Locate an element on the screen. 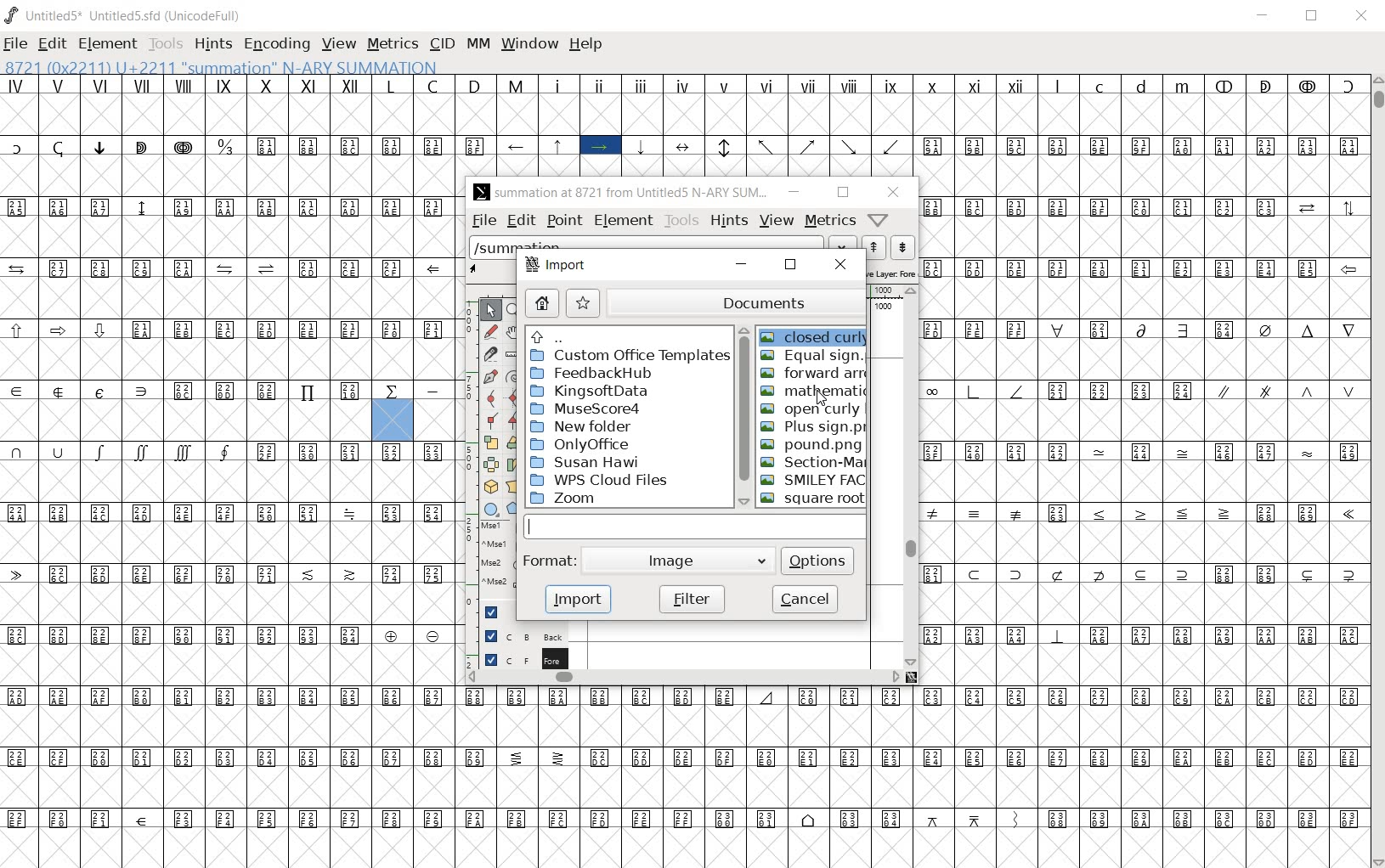 The height and width of the screenshot is (868, 1385). VIEW is located at coordinates (339, 43).